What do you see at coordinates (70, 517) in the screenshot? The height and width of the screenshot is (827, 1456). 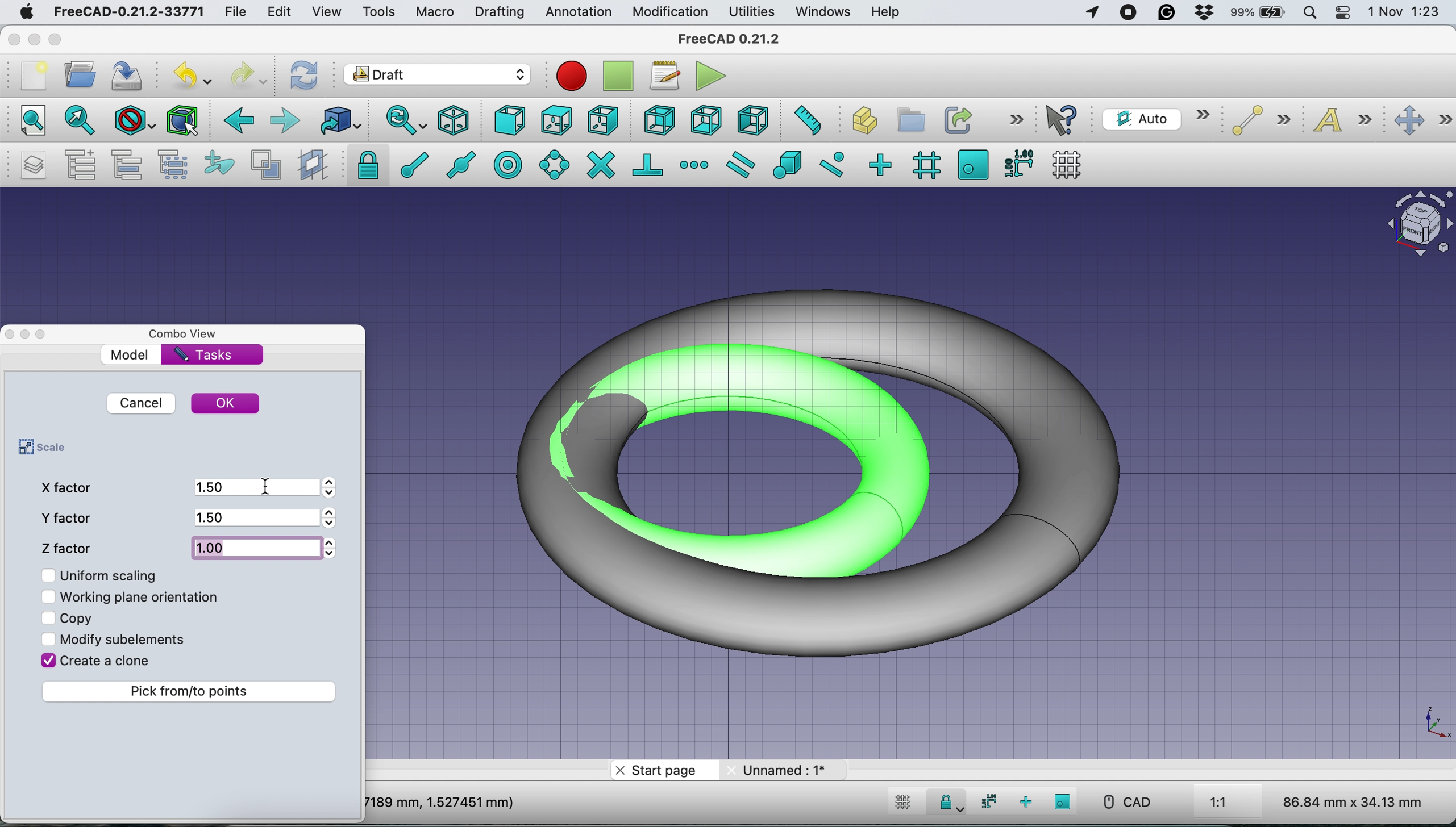 I see `y factor` at bounding box center [70, 517].